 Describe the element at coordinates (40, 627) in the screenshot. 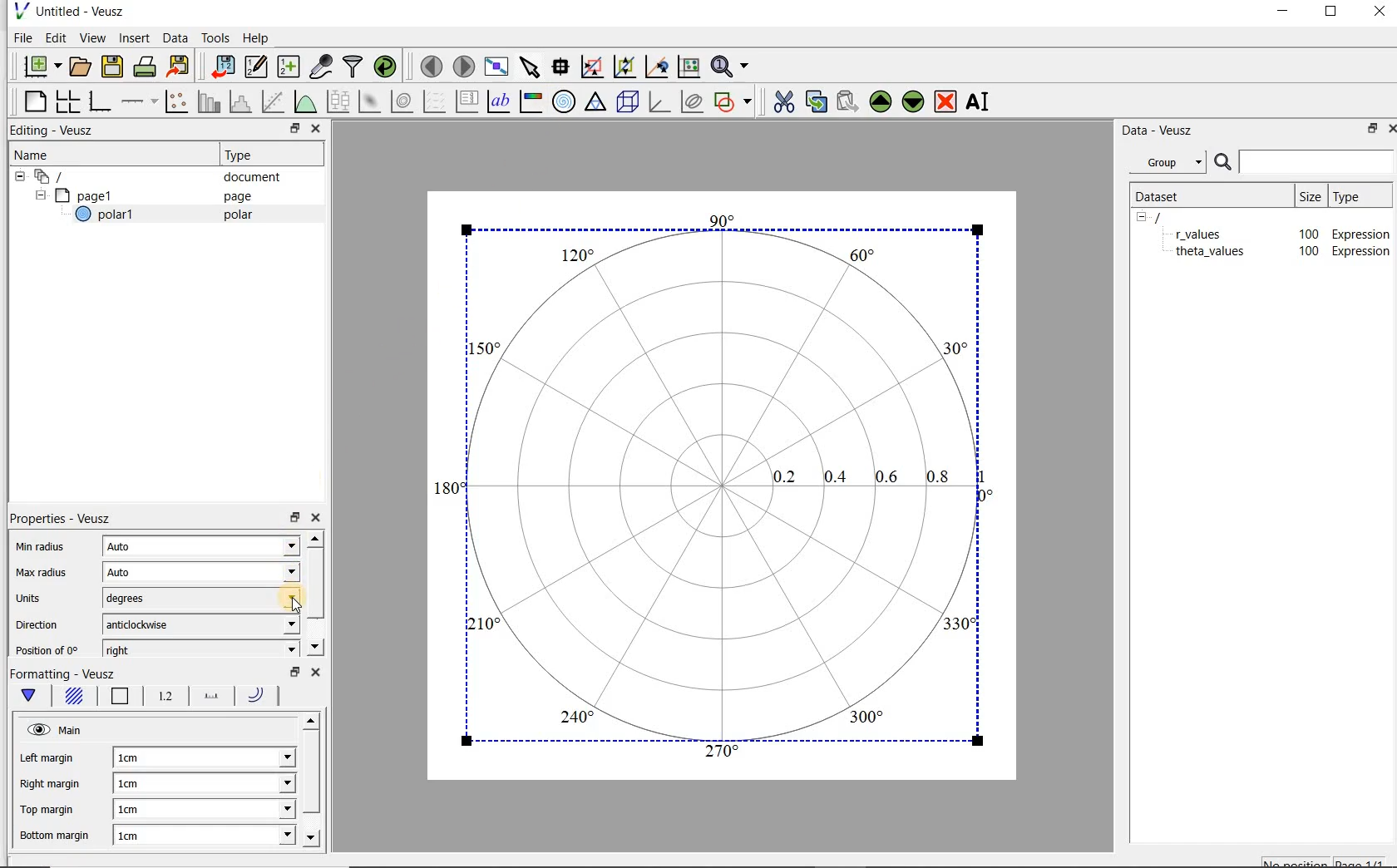

I see `Direction` at that location.